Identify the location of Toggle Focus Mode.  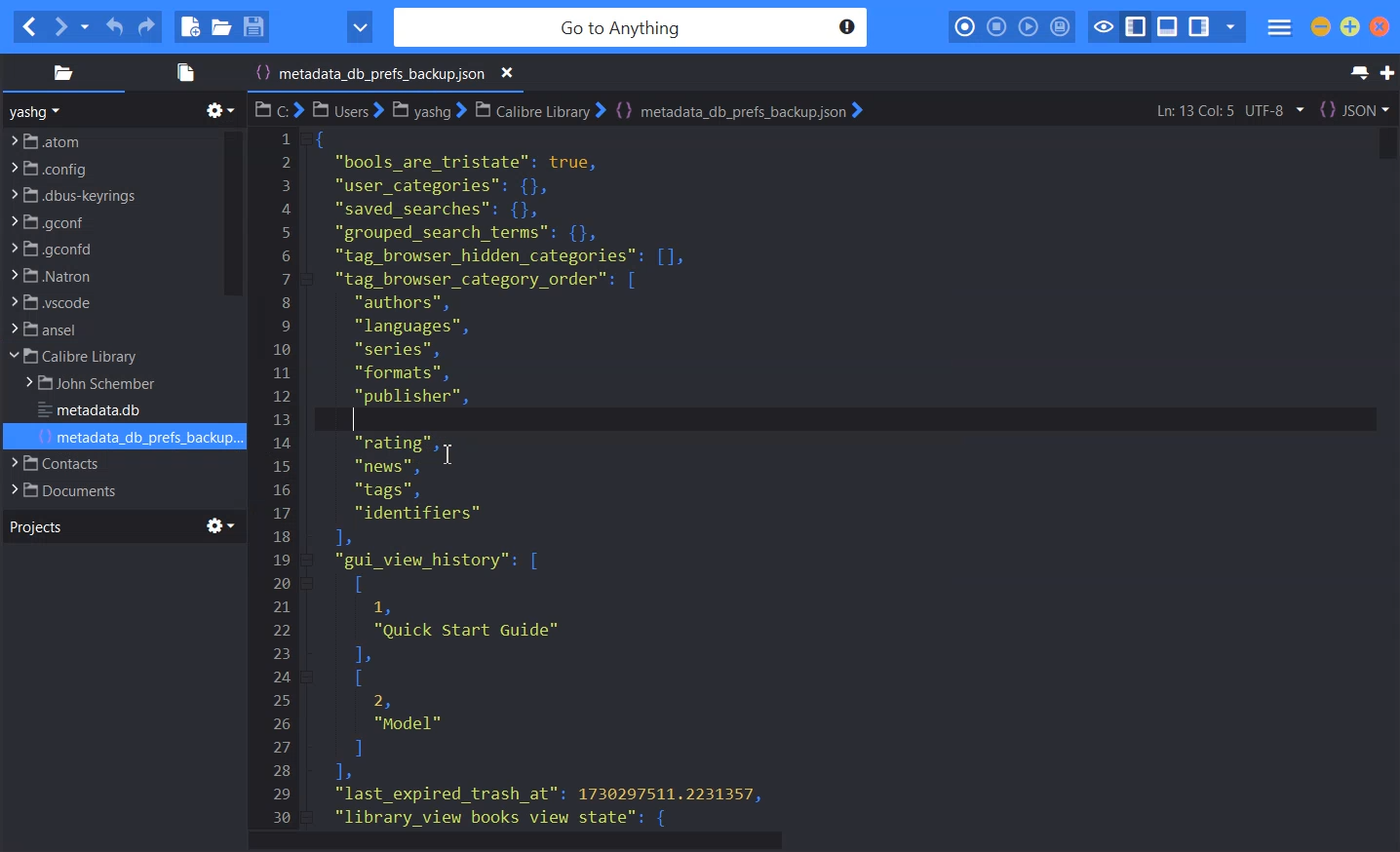
(1102, 27).